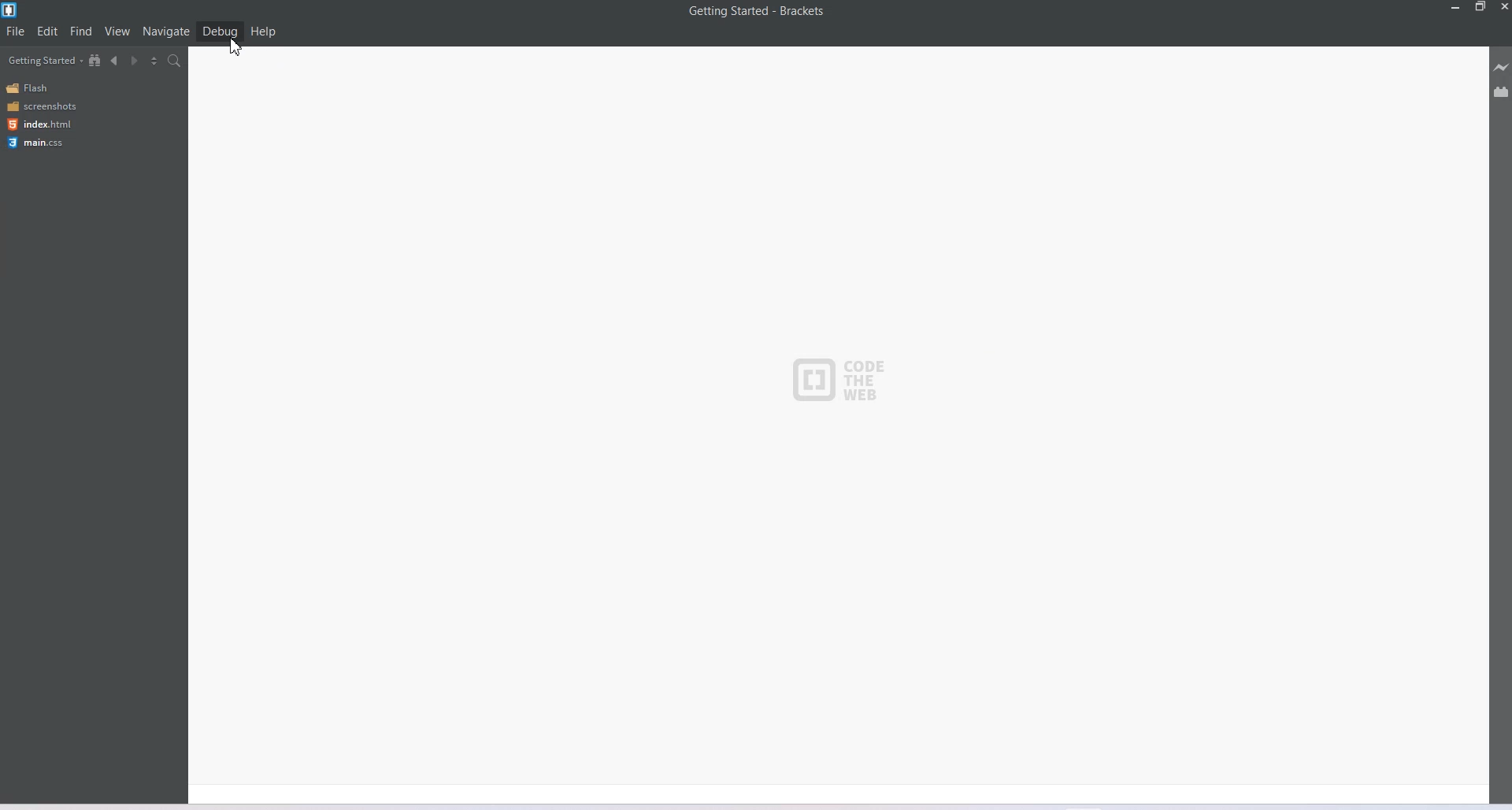 The image size is (1512, 810). What do you see at coordinates (175, 61) in the screenshot?
I see `Find in Files` at bounding box center [175, 61].